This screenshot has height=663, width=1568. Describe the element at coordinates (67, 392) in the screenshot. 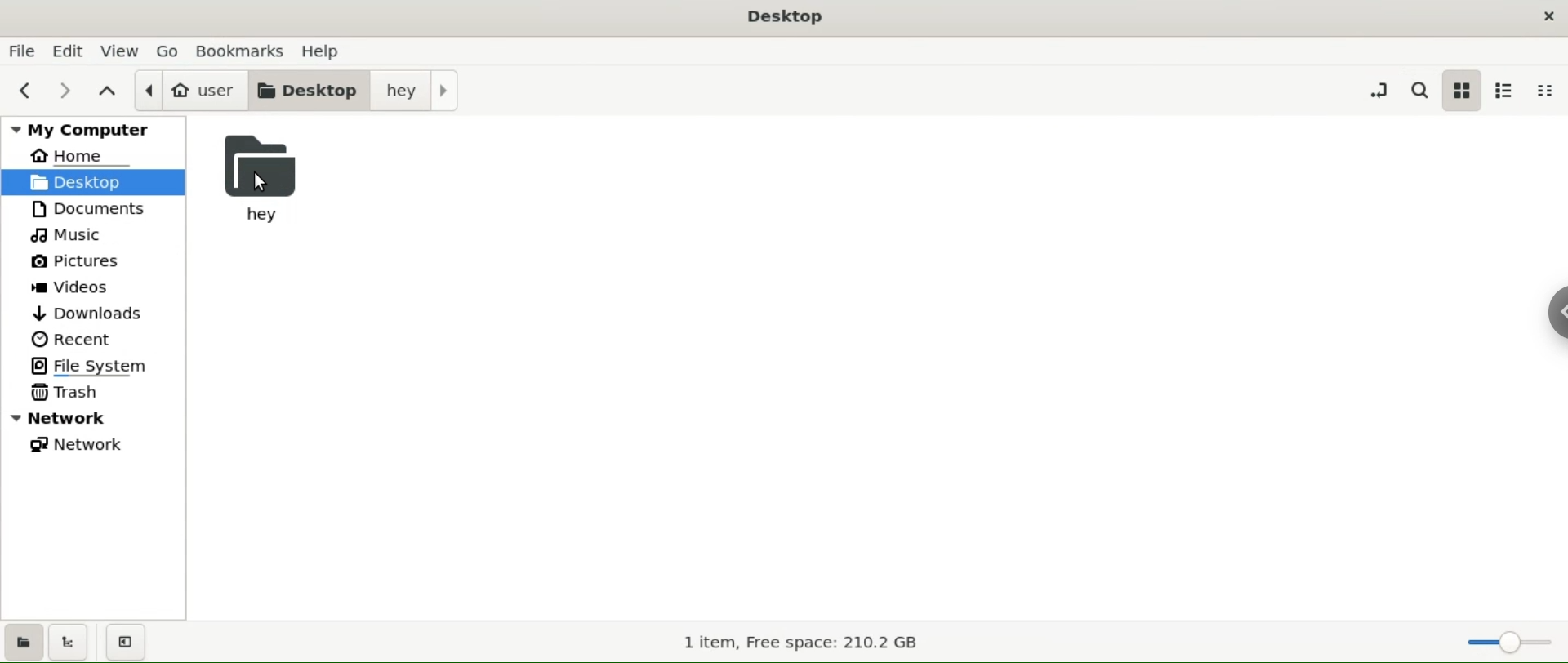

I see `trask` at that location.